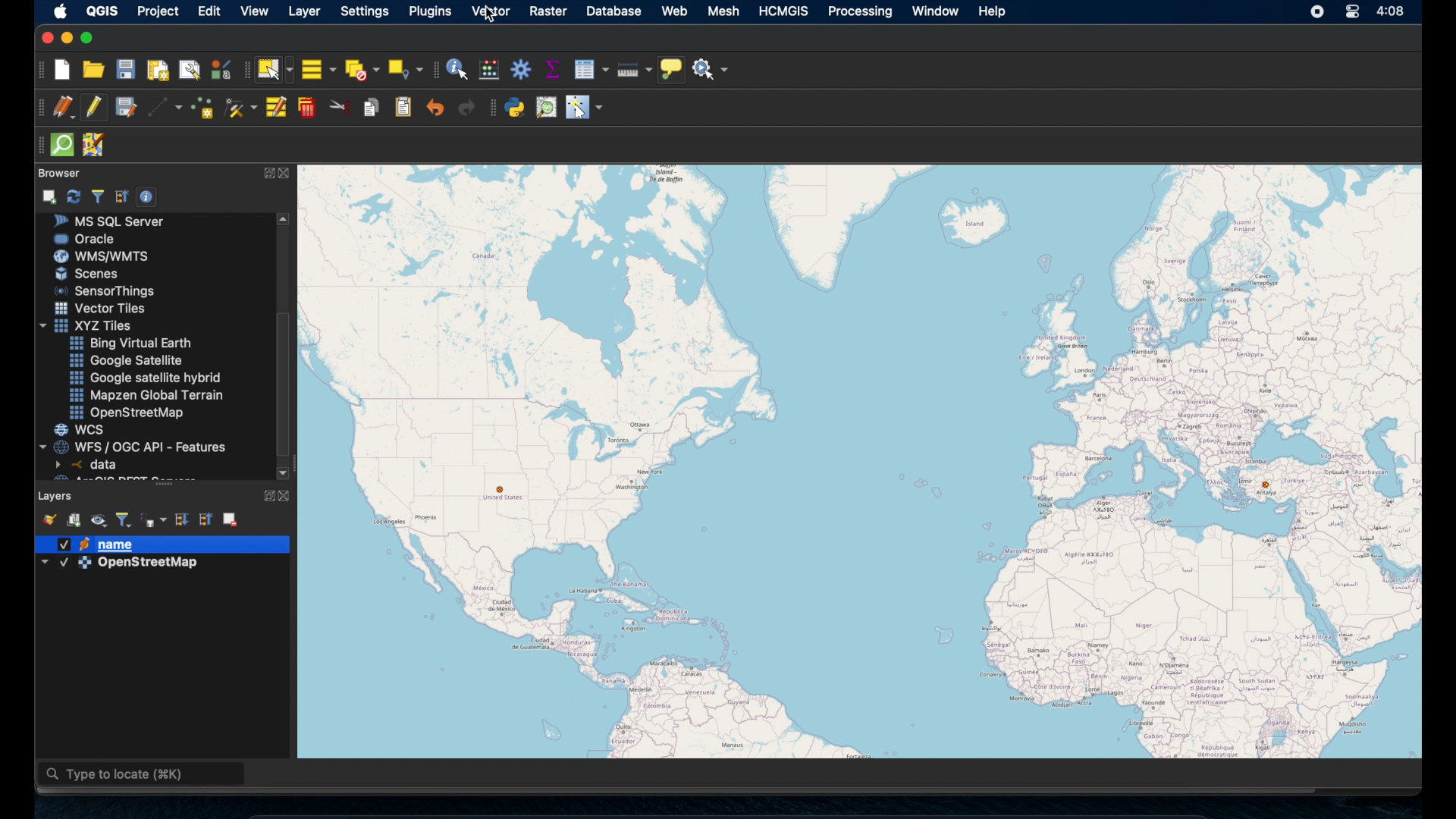 This screenshot has height=819, width=1456. What do you see at coordinates (192, 71) in the screenshot?
I see `show layout manager` at bounding box center [192, 71].